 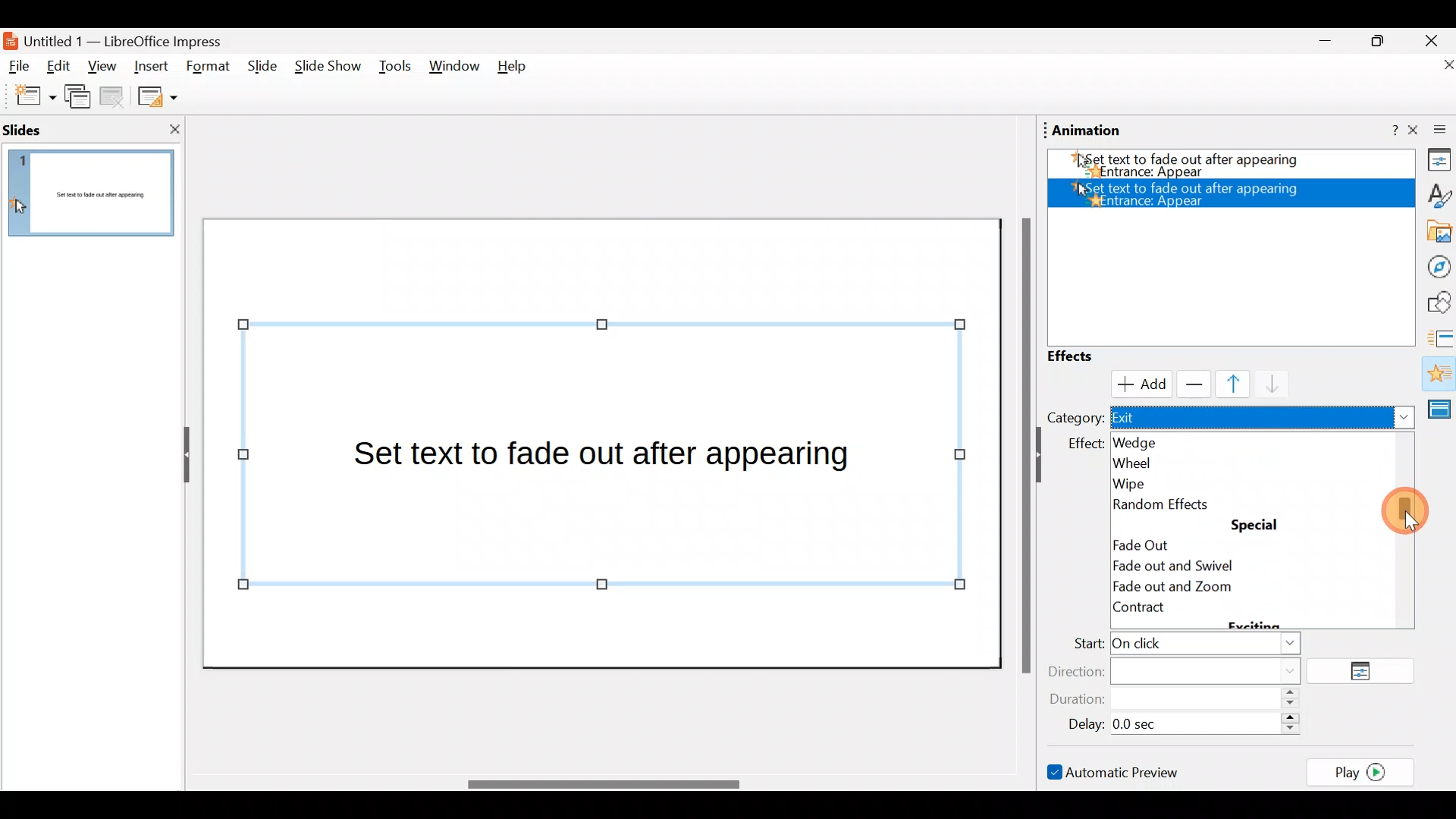 I want to click on Remove effect, so click(x=1191, y=384).